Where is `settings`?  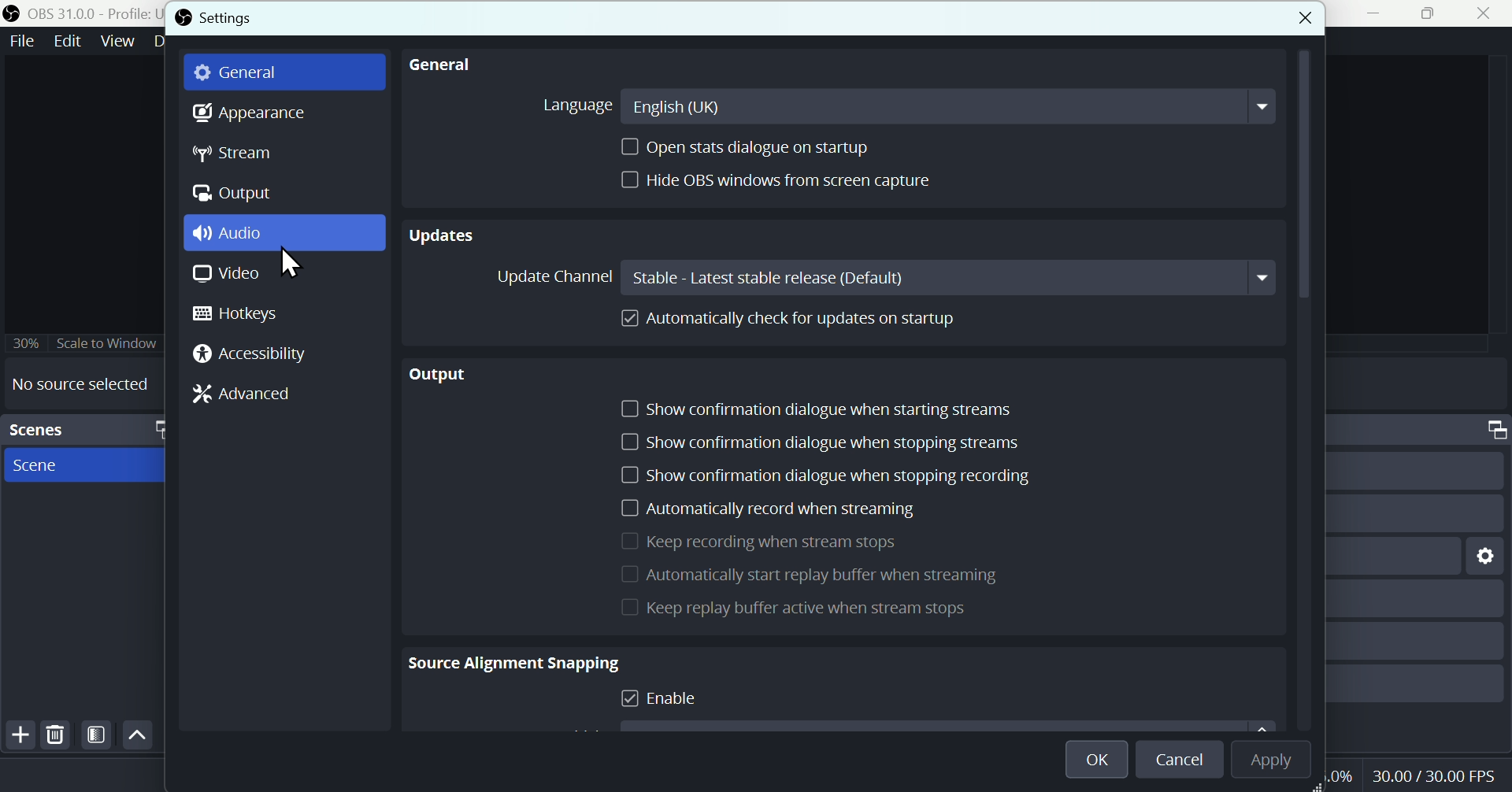 settings is located at coordinates (213, 20).